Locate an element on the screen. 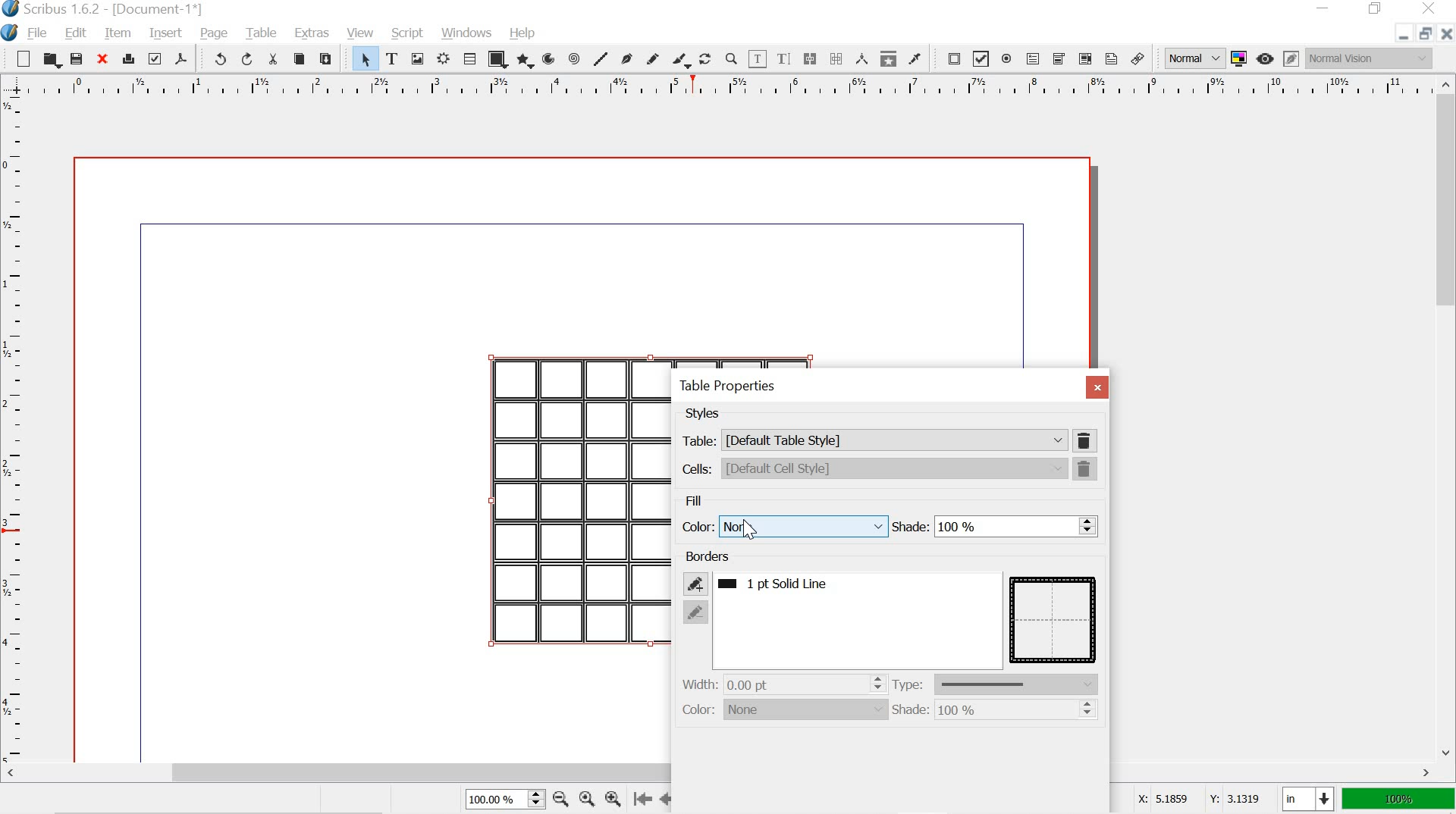 The height and width of the screenshot is (814, 1456). zoom out is located at coordinates (559, 798).